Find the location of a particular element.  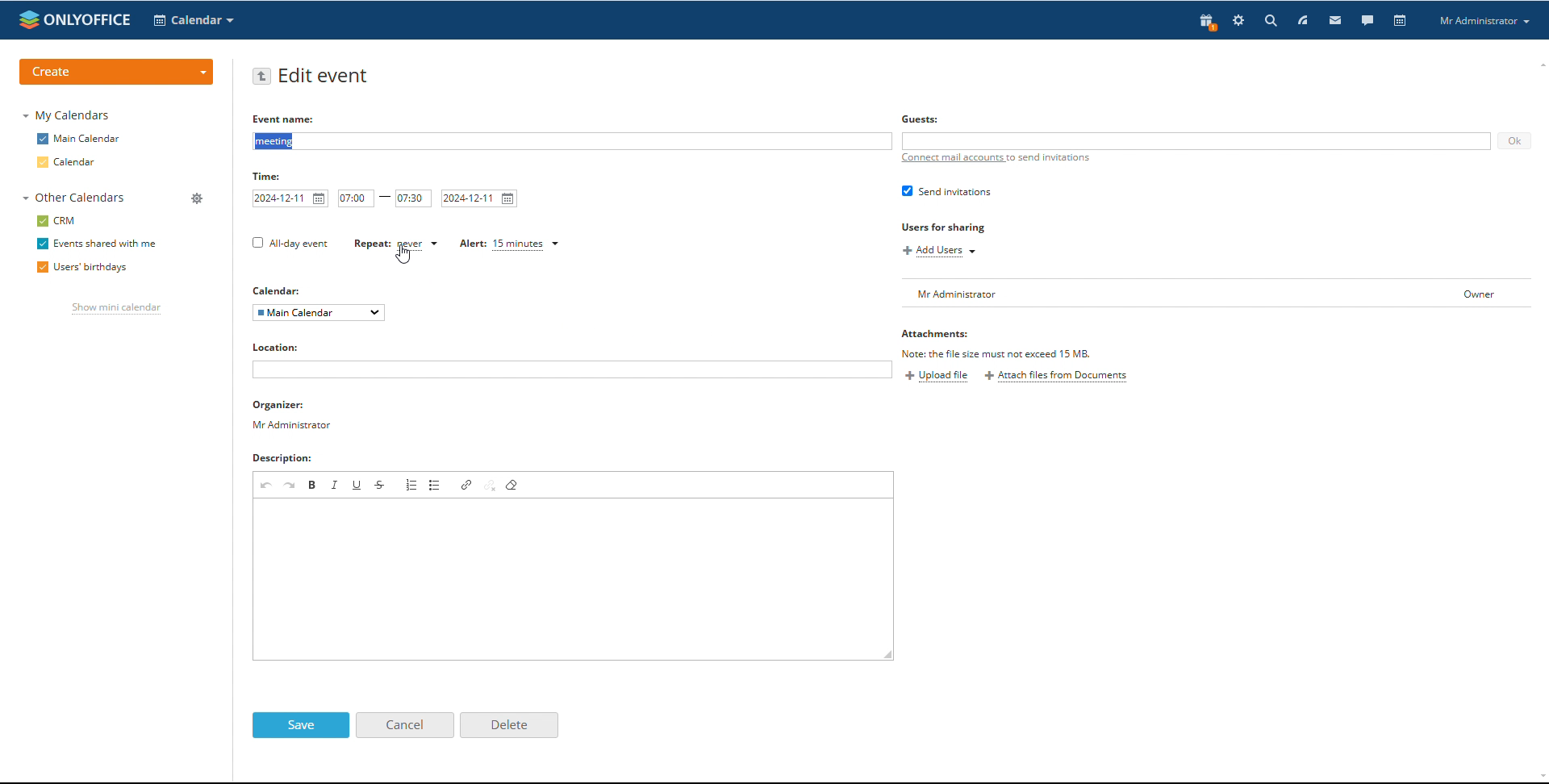

my calendars is located at coordinates (65, 115).